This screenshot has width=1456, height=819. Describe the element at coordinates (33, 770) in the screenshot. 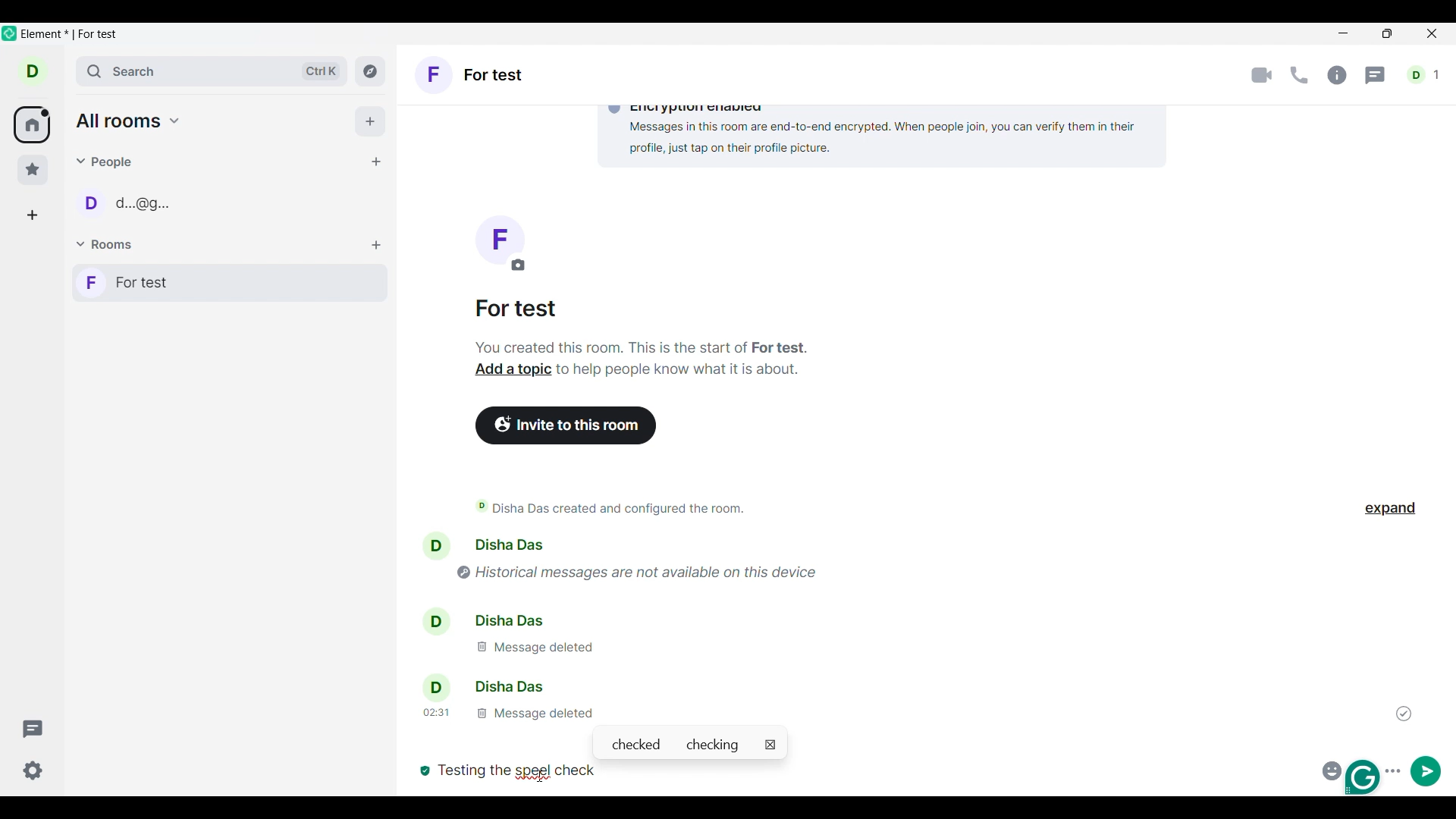

I see `Current settings` at that location.